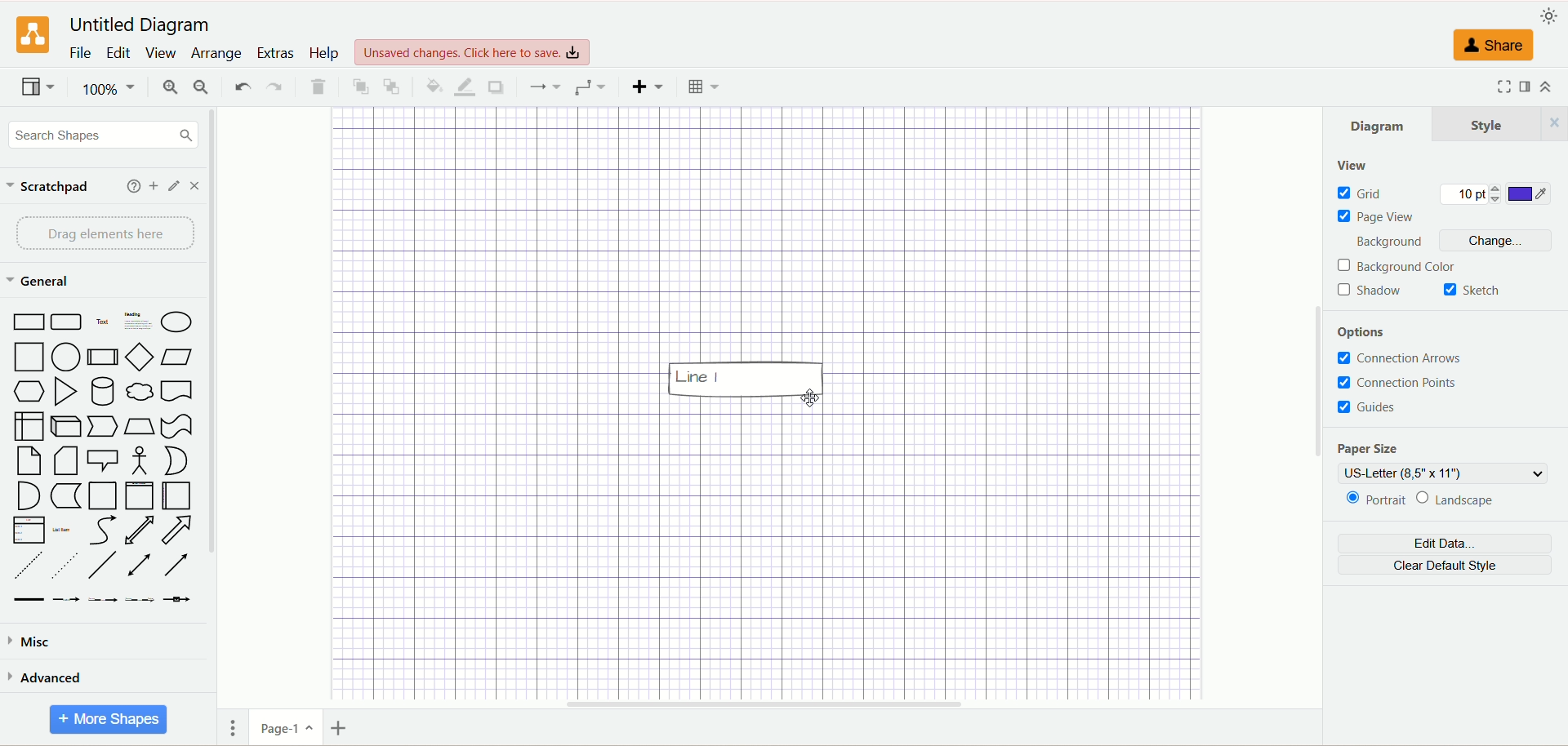 The image size is (1568, 746). Describe the element at coordinates (28, 426) in the screenshot. I see `Internal storage` at that location.